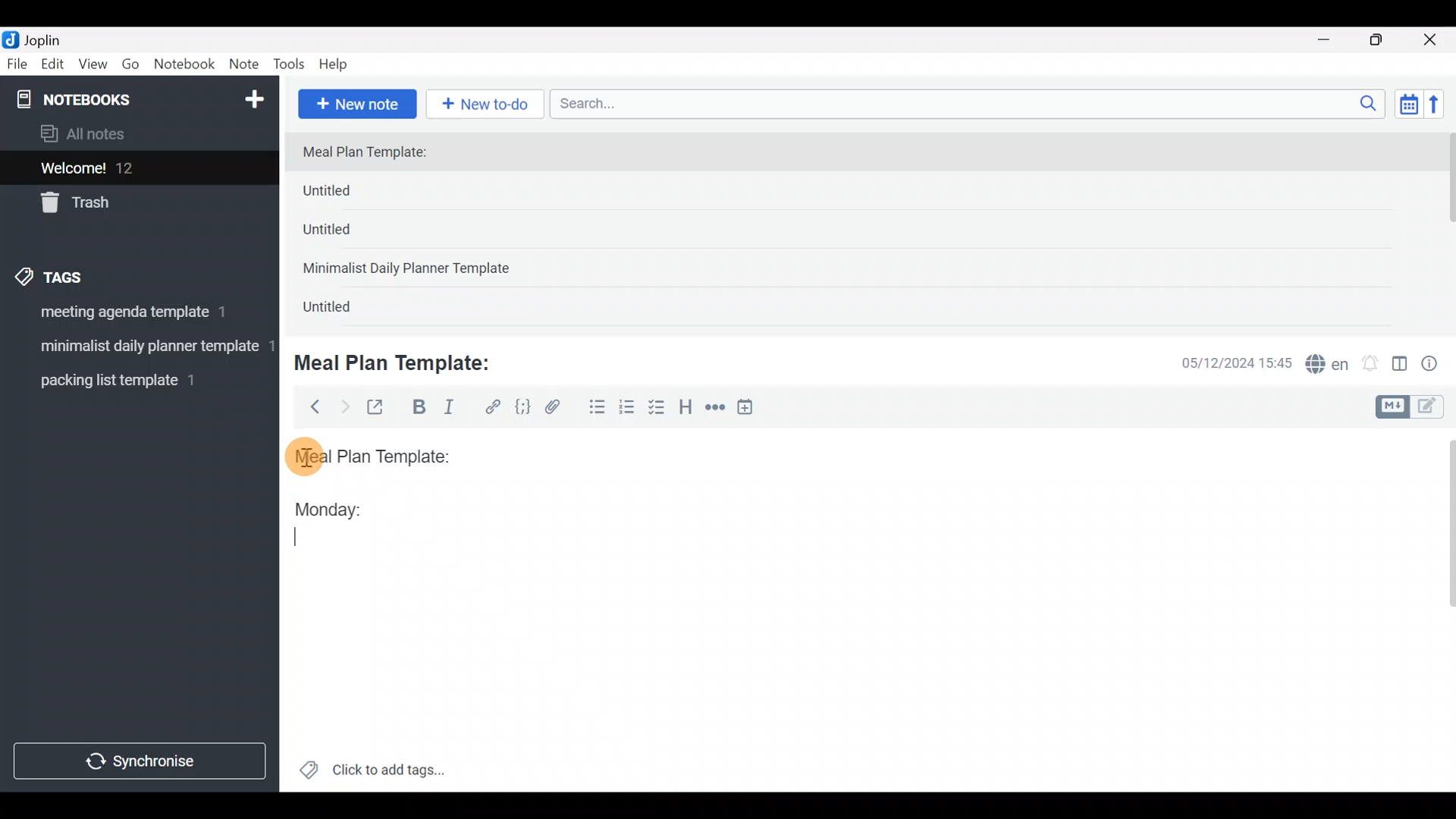 The height and width of the screenshot is (819, 1456). What do you see at coordinates (521, 406) in the screenshot?
I see `Code` at bounding box center [521, 406].